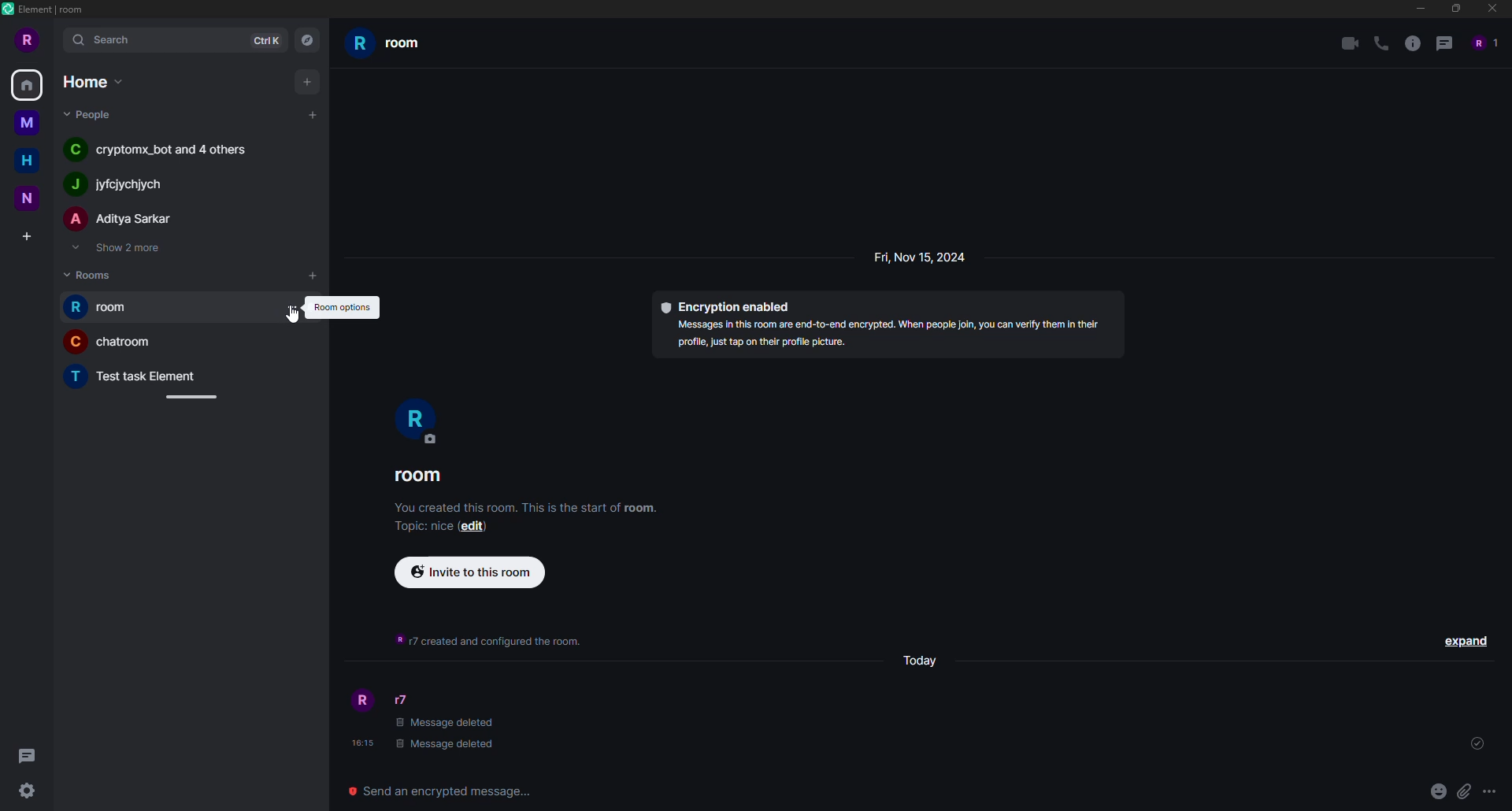 The height and width of the screenshot is (811, 1512). Describe the element at coordinates (310, 40) in the screenshot. I see `navigator` at that location.